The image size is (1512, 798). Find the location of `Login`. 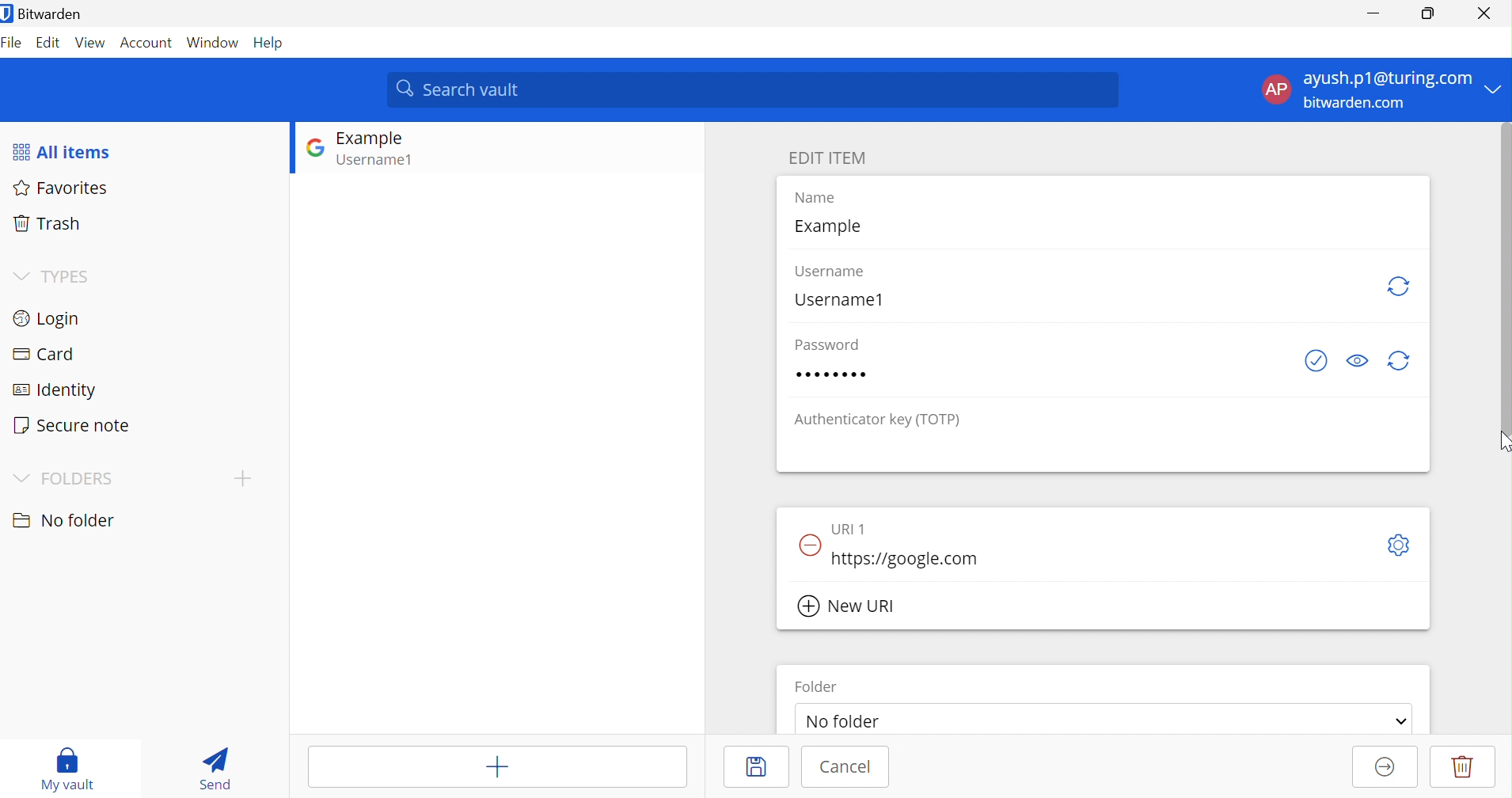

Login is located at coordinates (47, 317).